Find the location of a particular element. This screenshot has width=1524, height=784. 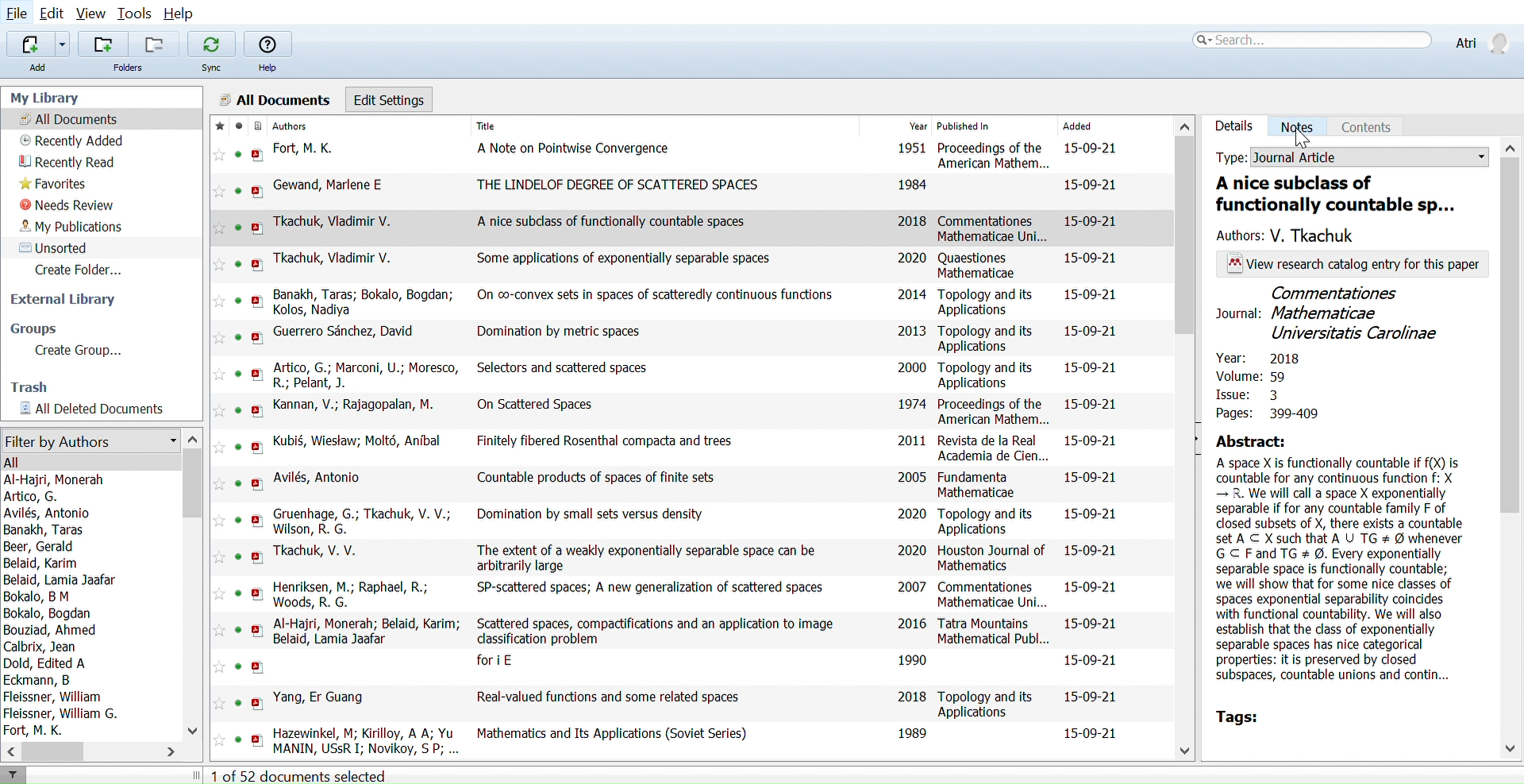

File is located at coordinates (17, 14).